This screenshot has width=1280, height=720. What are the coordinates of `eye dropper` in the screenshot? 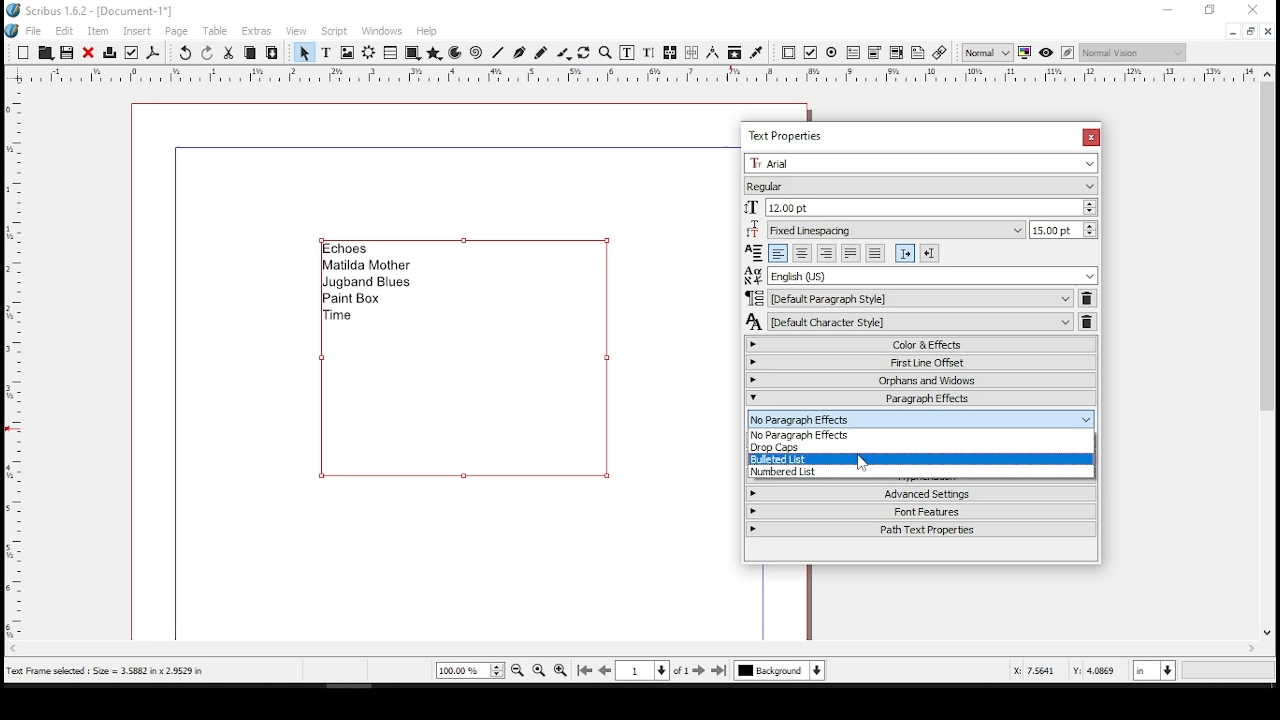 It's located at (756, 52).